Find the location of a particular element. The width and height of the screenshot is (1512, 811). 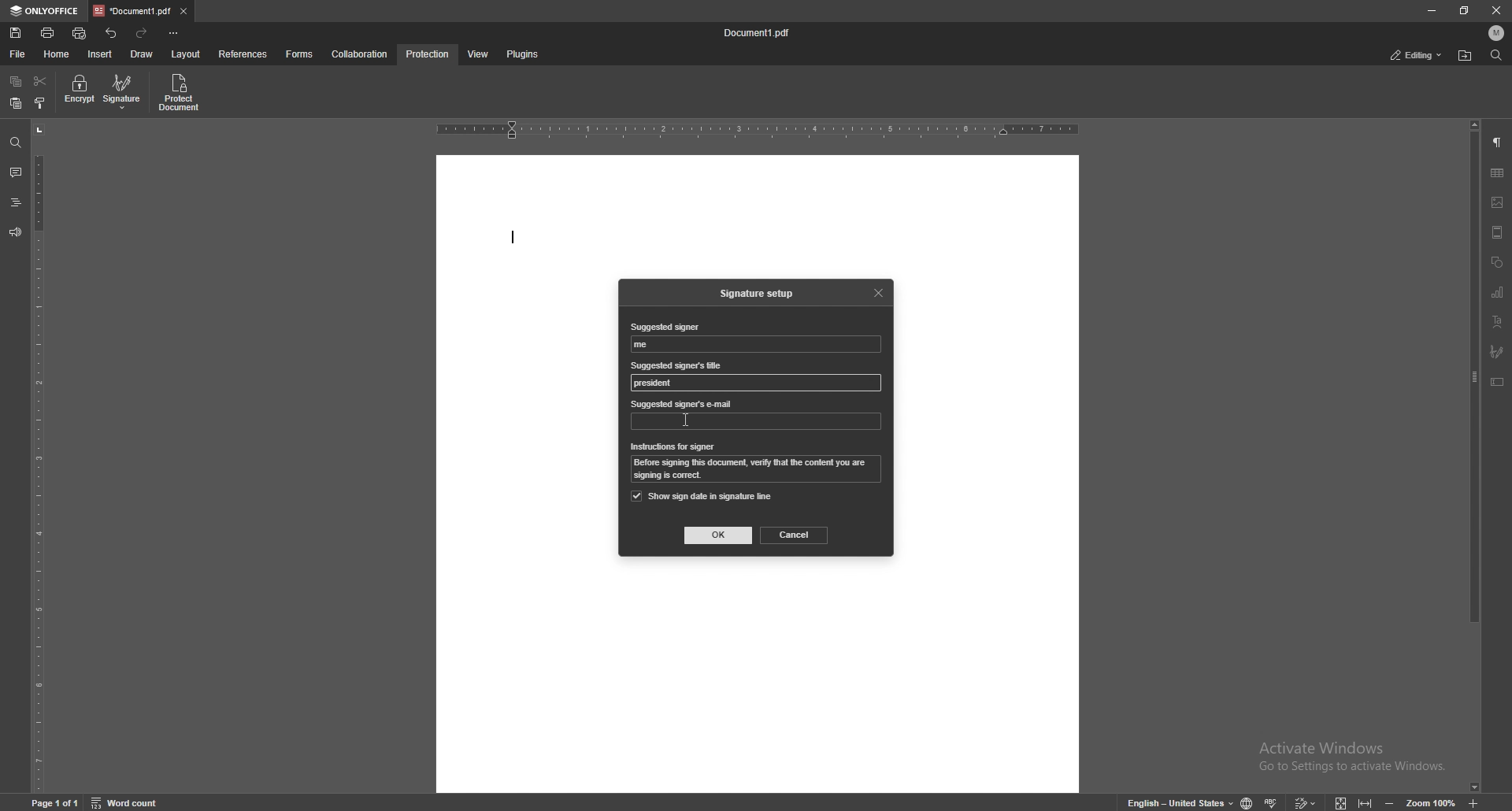

typing start is located at coordinates (518, 243).